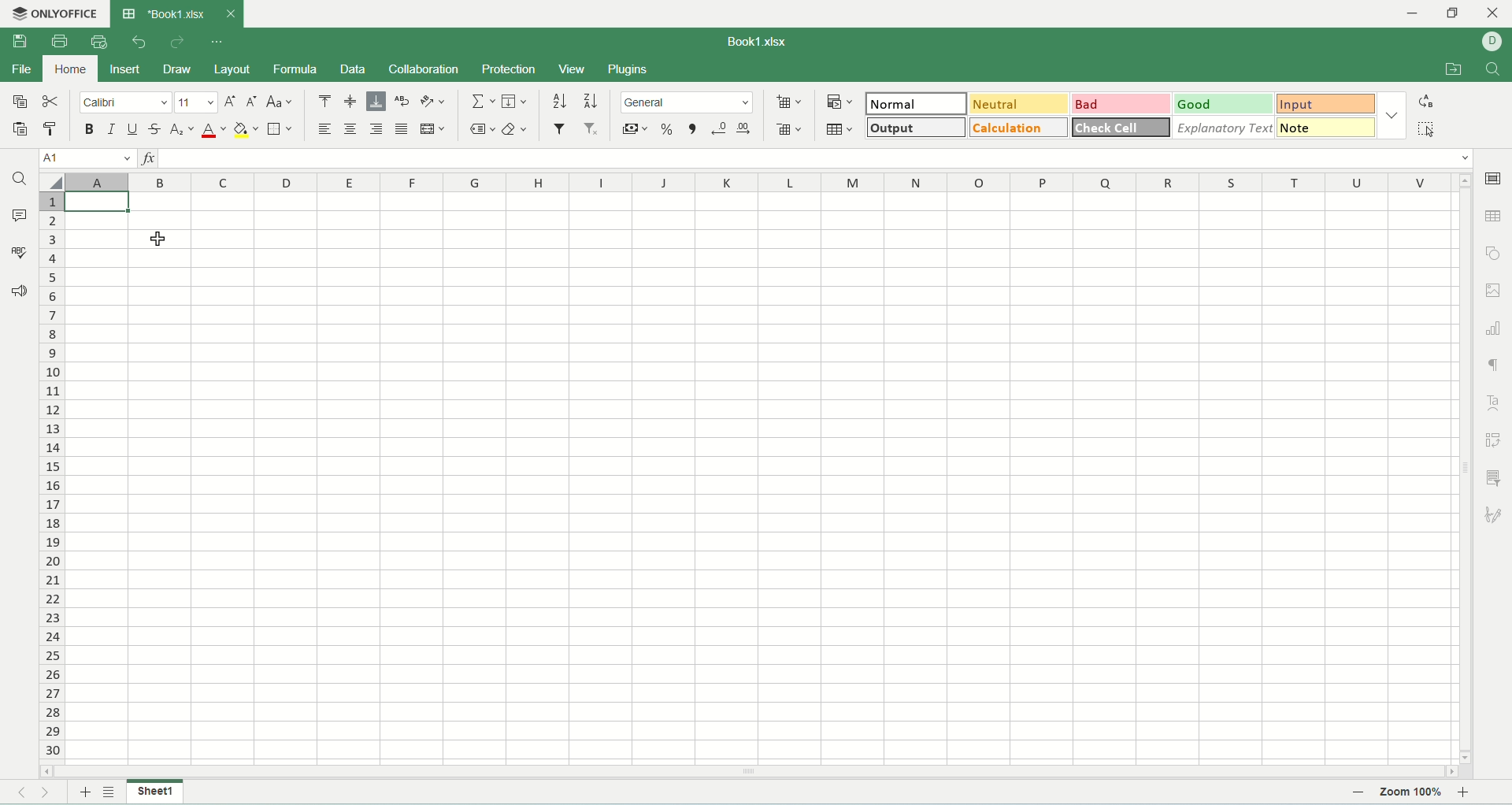 The height and width of the screenshot is (805, 1512). Describe the element at coordinates (157, 131) in the screenshot. I see `strikethrough` at that location.